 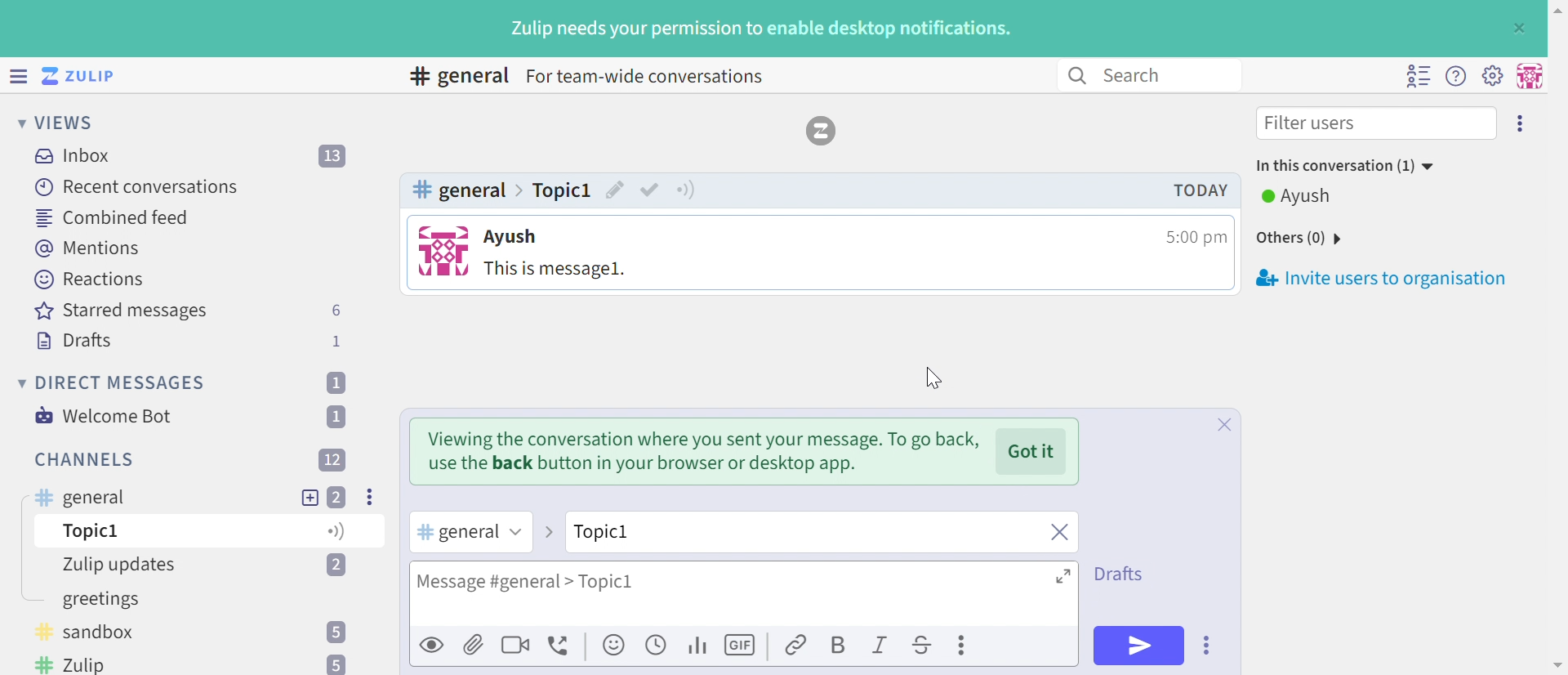 What do you see at coordinates (562, 189) in the screenshot?
I see `Topic1` at bounding box center [562, 189].